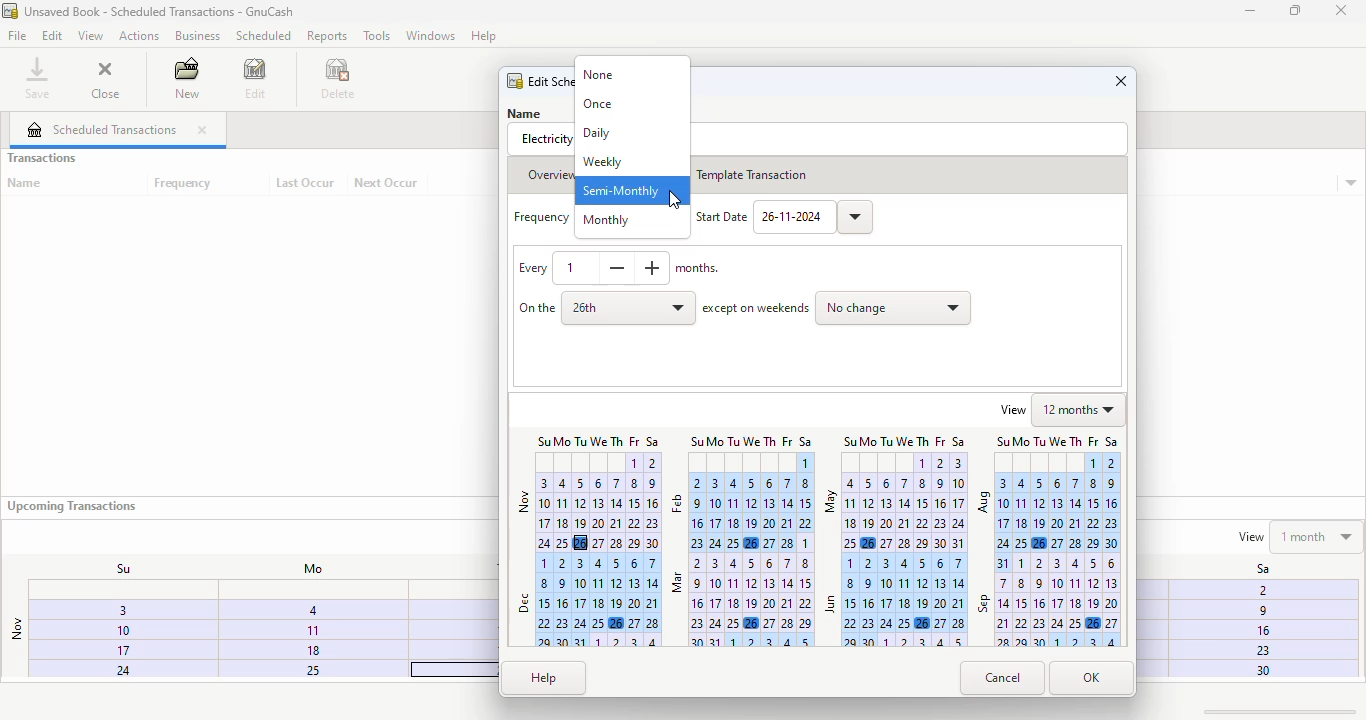  What do you see at coordinates (741, 492) in the screenshot?
I see `February calendar` at bounding box center [741, 492].